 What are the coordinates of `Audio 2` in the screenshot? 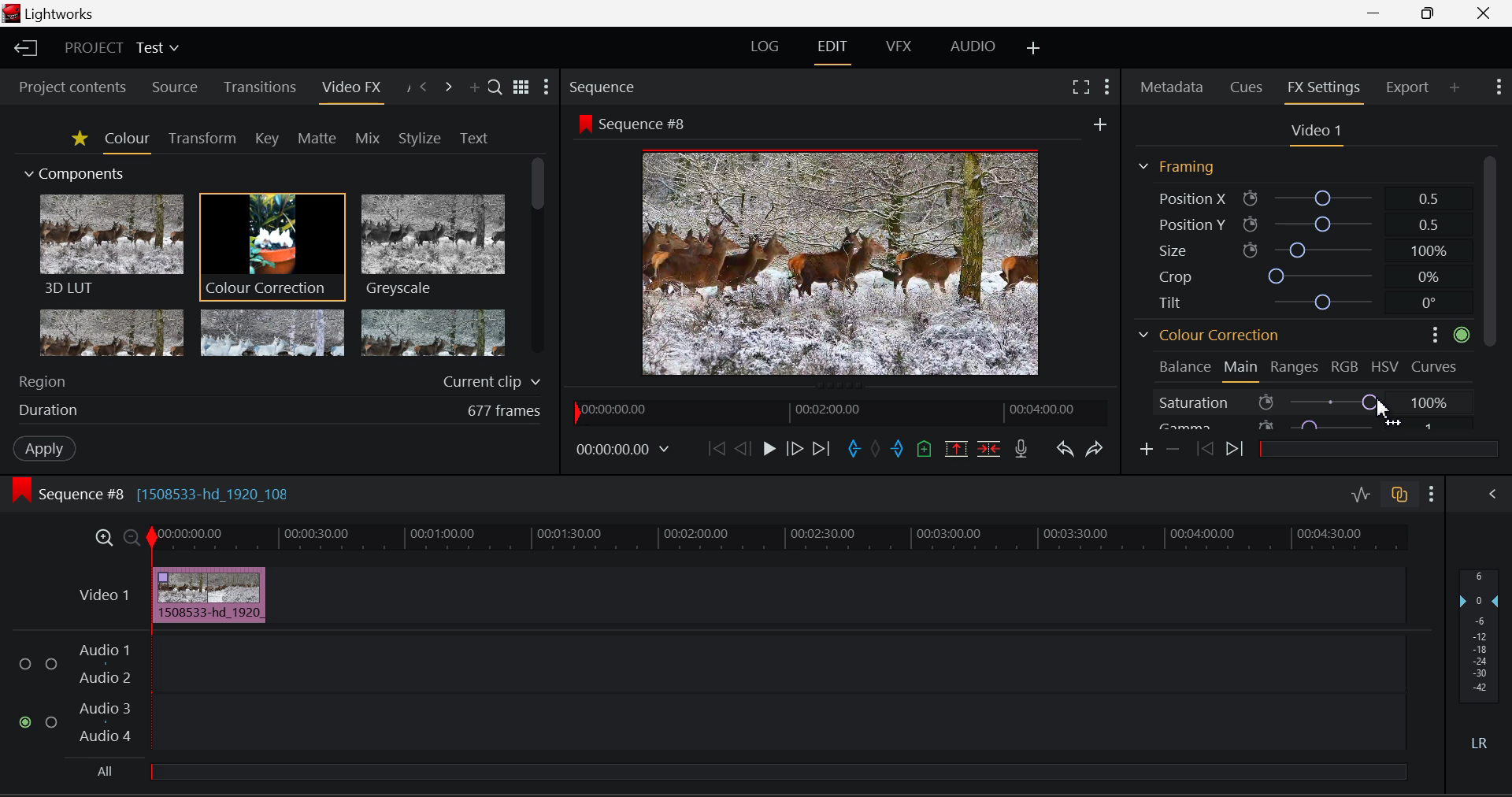 It's located at (104, 679).